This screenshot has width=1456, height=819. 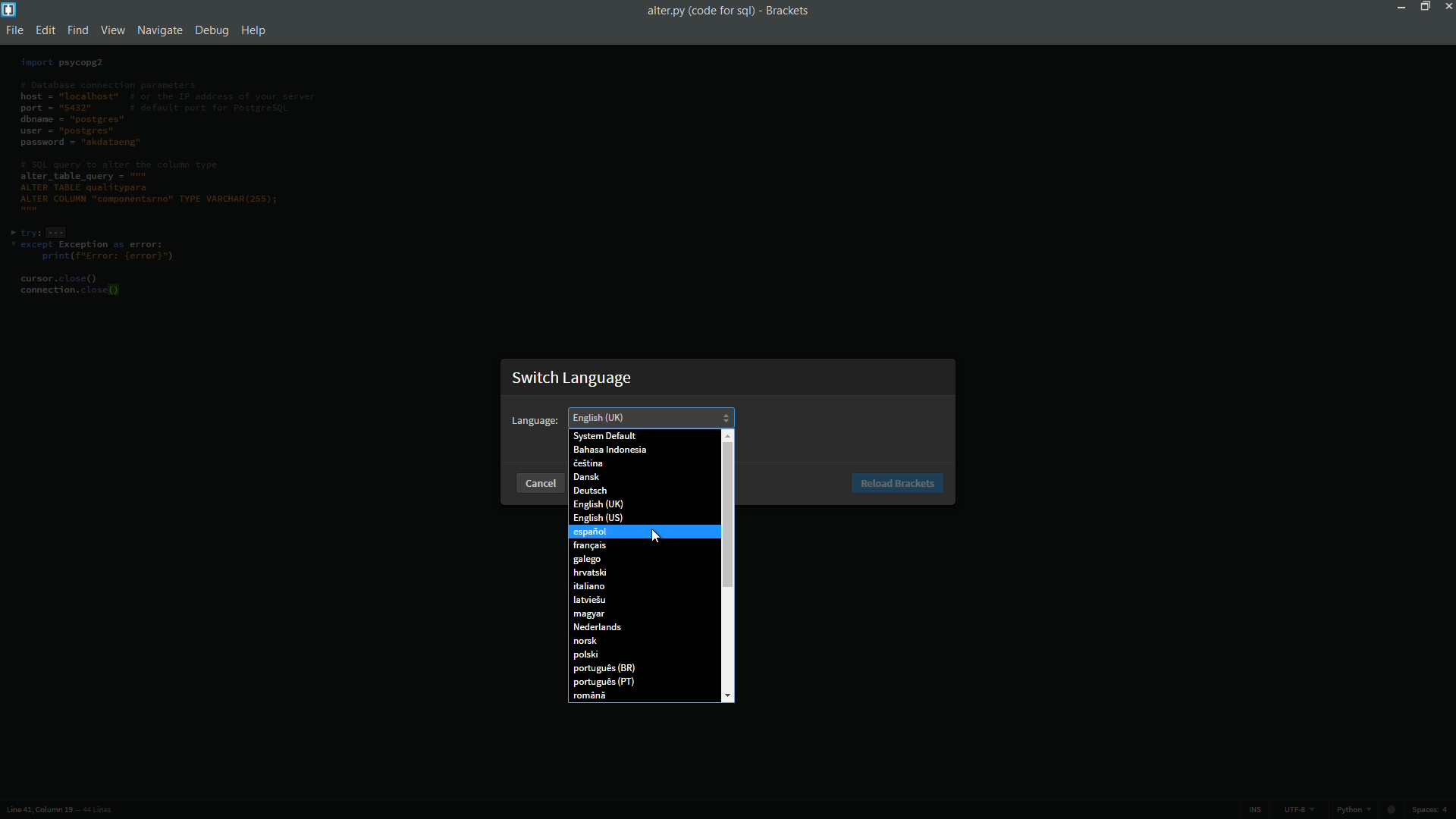 What do you see at coordinates (642, 518) in the screenshot?
I see `English (US)` at bounding box center [642, 518].